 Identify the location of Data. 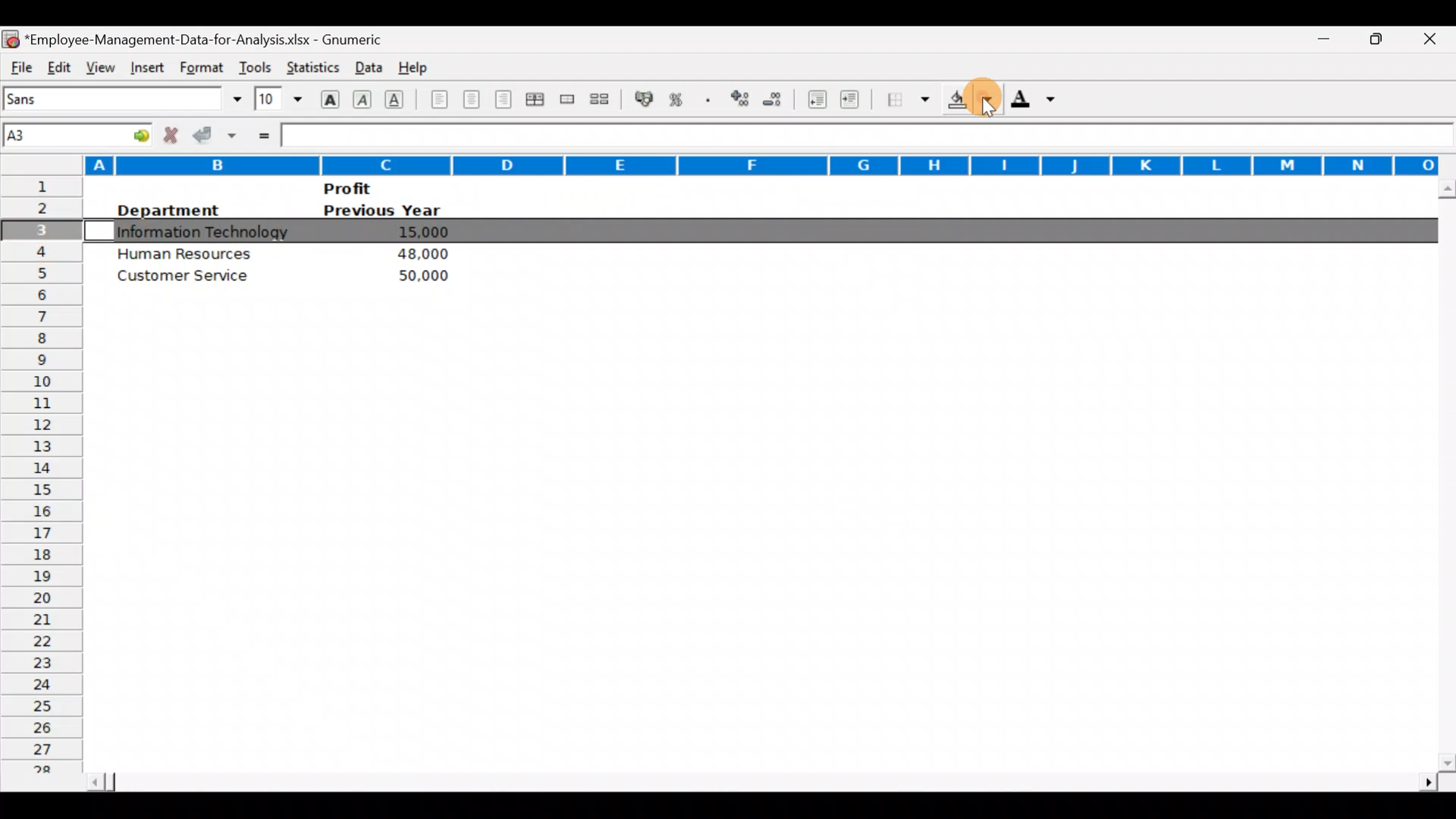
(365, 64).